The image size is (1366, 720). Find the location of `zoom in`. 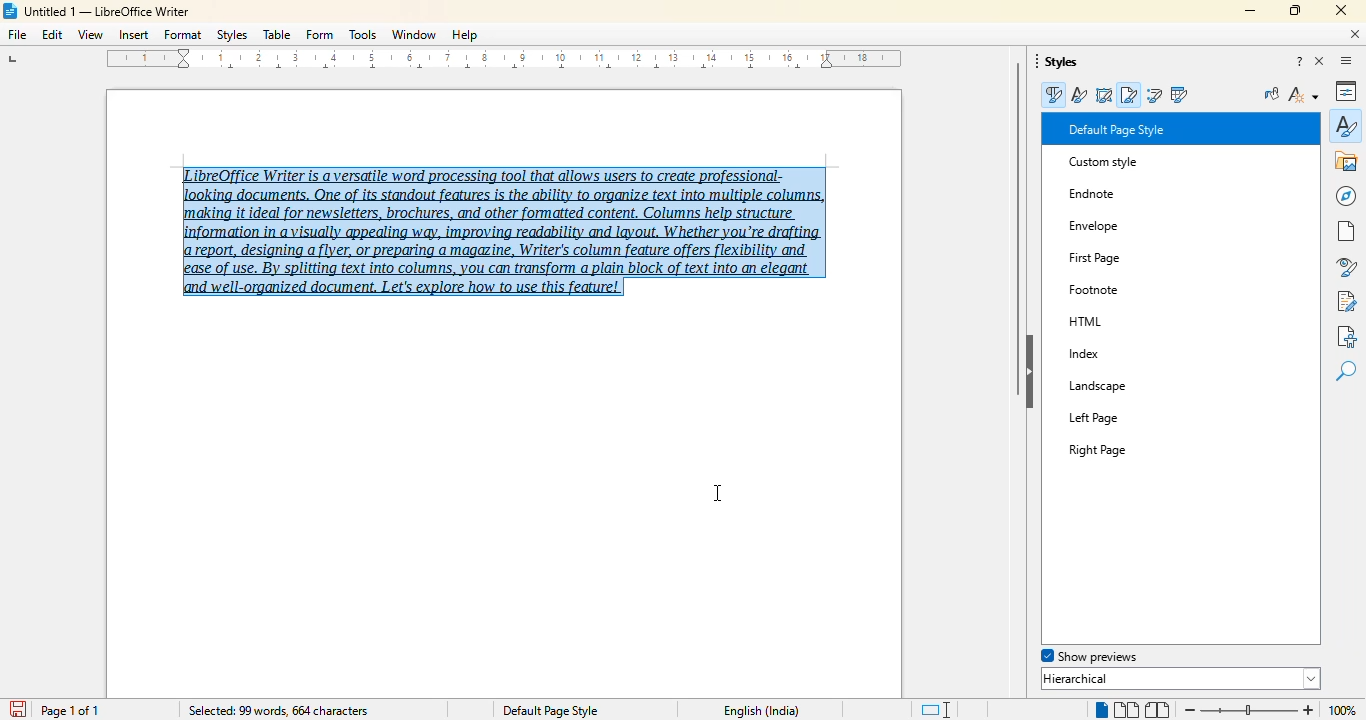

zoom in is located at coordinates (1307, 710).